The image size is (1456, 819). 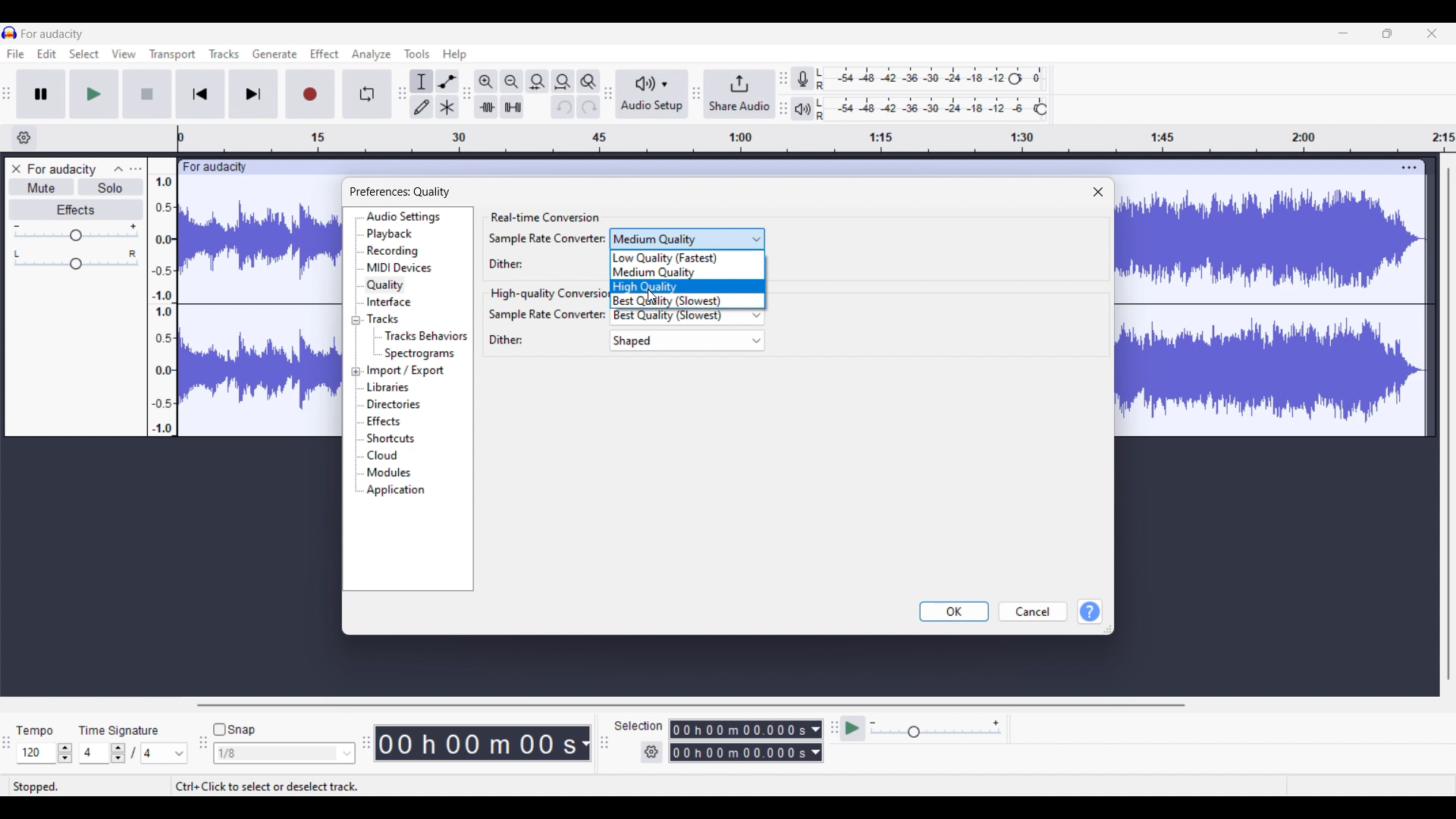 What do you see at coordinates (1448, 425) in the screenshot?
I see `Vertical slide bar` at bounding box center [1448, 425].